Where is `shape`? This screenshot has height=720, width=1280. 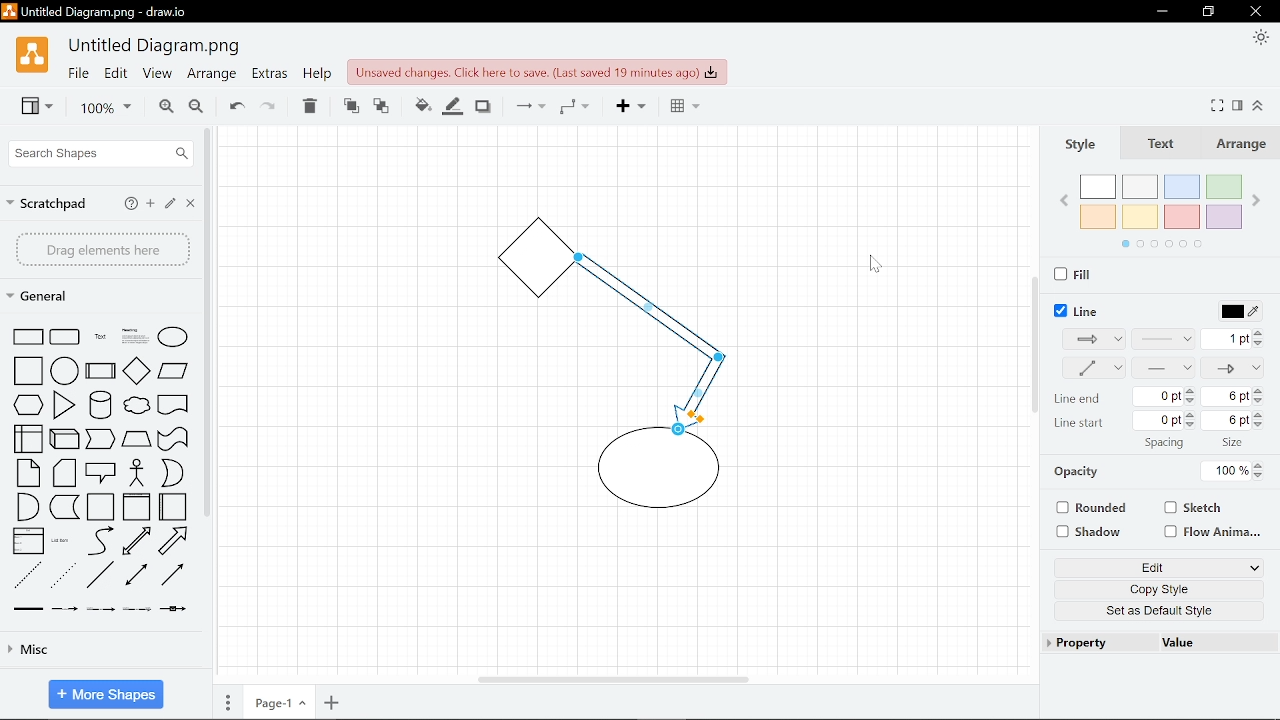 shape is located at coordinates (137, 370).